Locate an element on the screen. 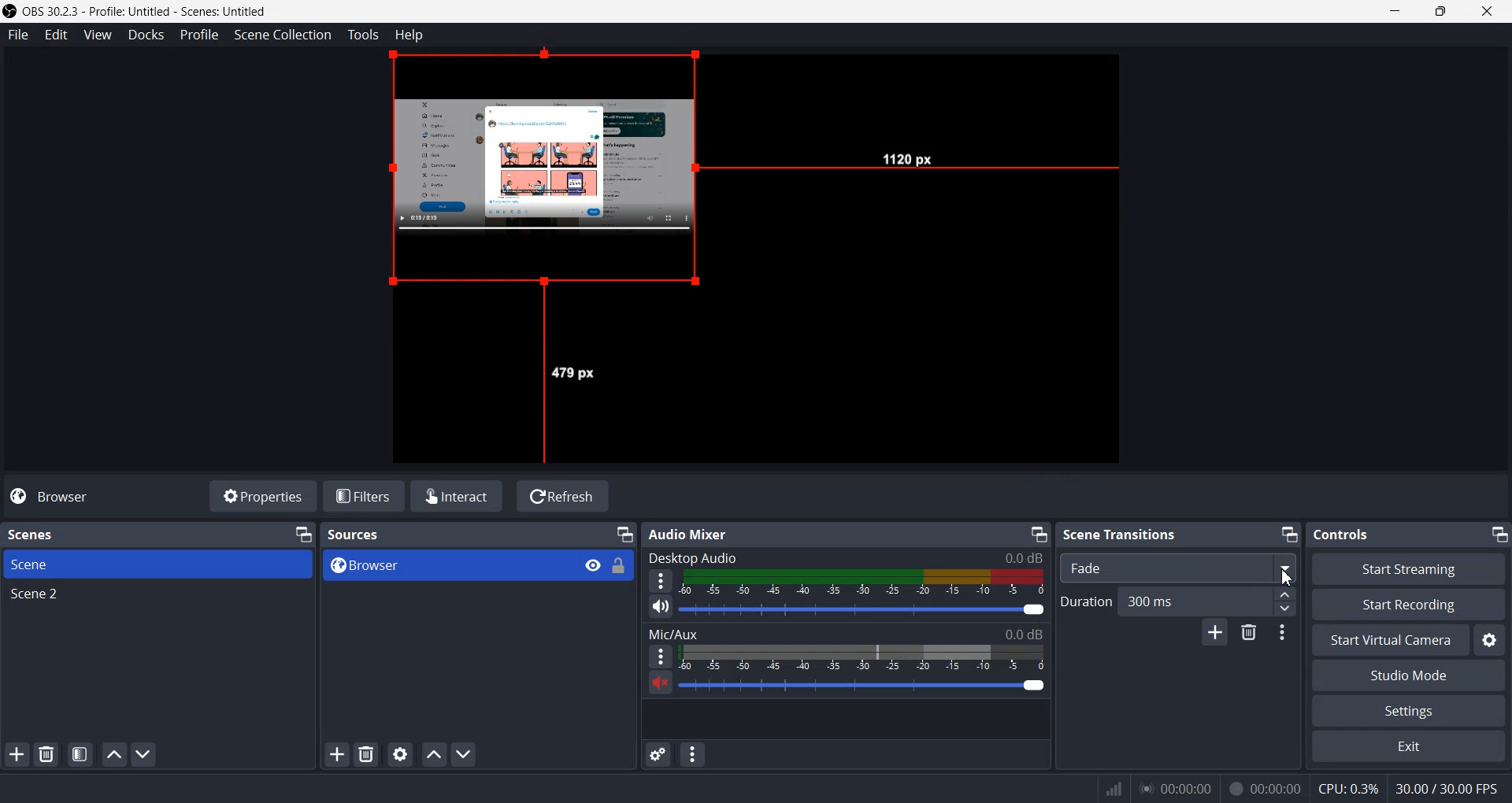 The height and width of the screenshot is (803, 1512). Volume Indicator is located at coordinates (861, 658).